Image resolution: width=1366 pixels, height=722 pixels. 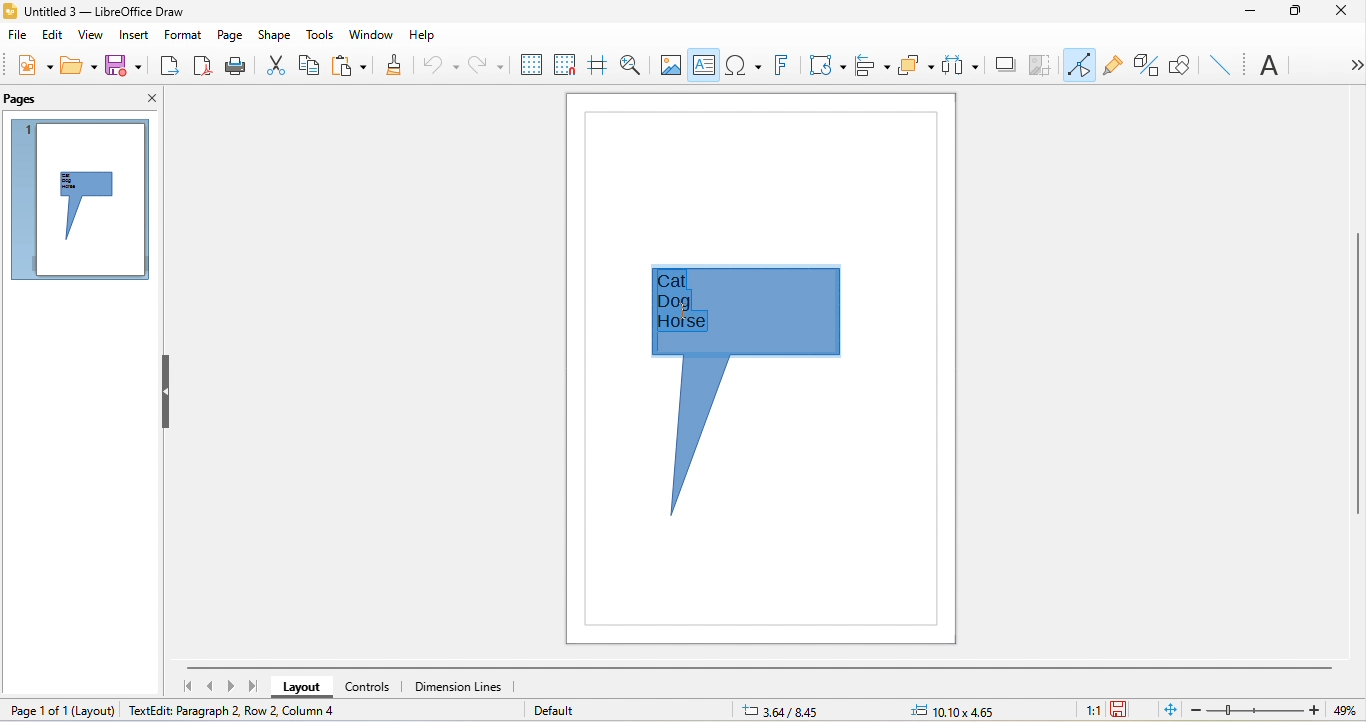 I want to click on close, so click(x=146, y=96).